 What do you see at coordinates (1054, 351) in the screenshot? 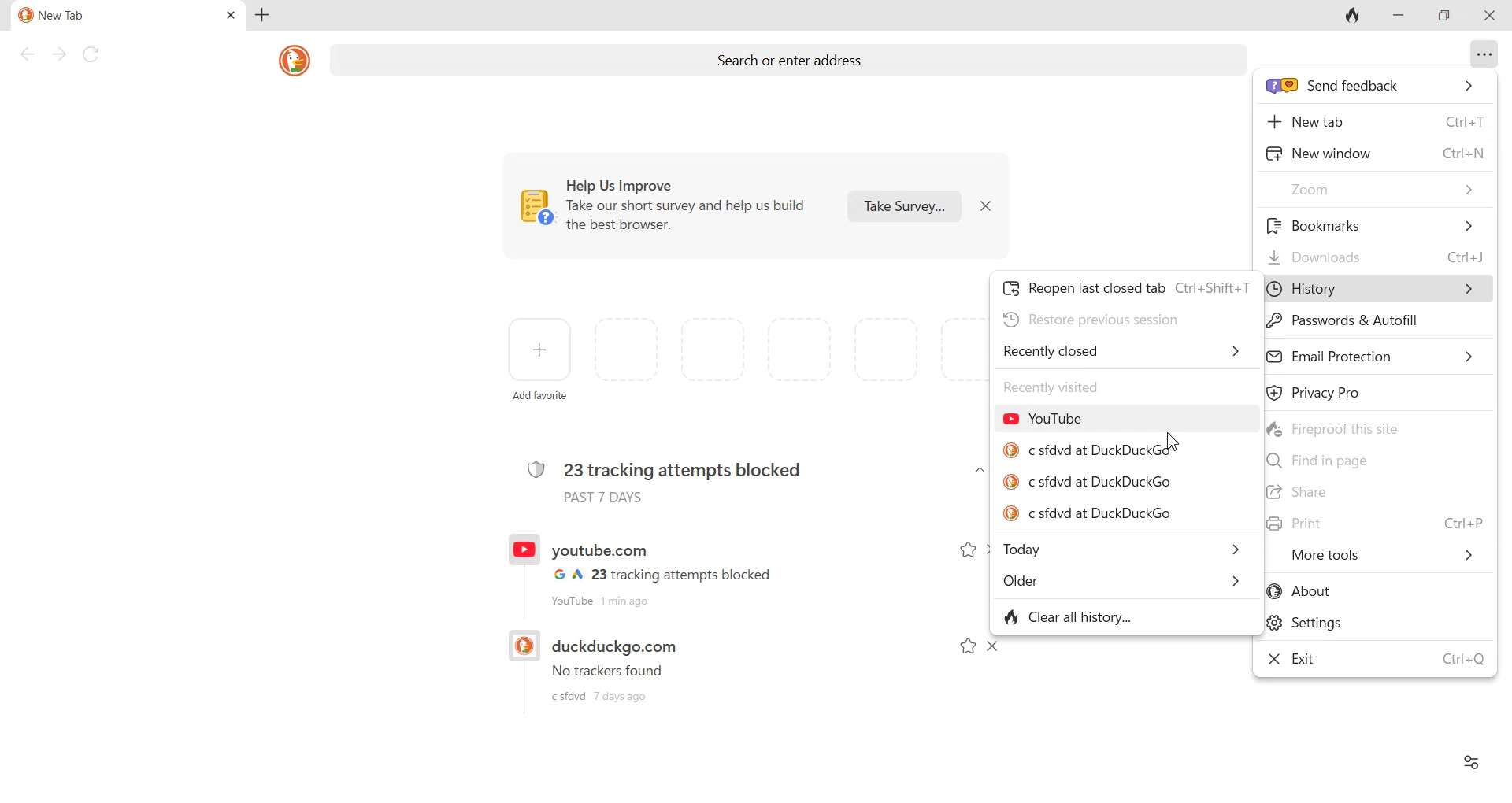
I see `Recently closed` at bounding box center [1054, 351].